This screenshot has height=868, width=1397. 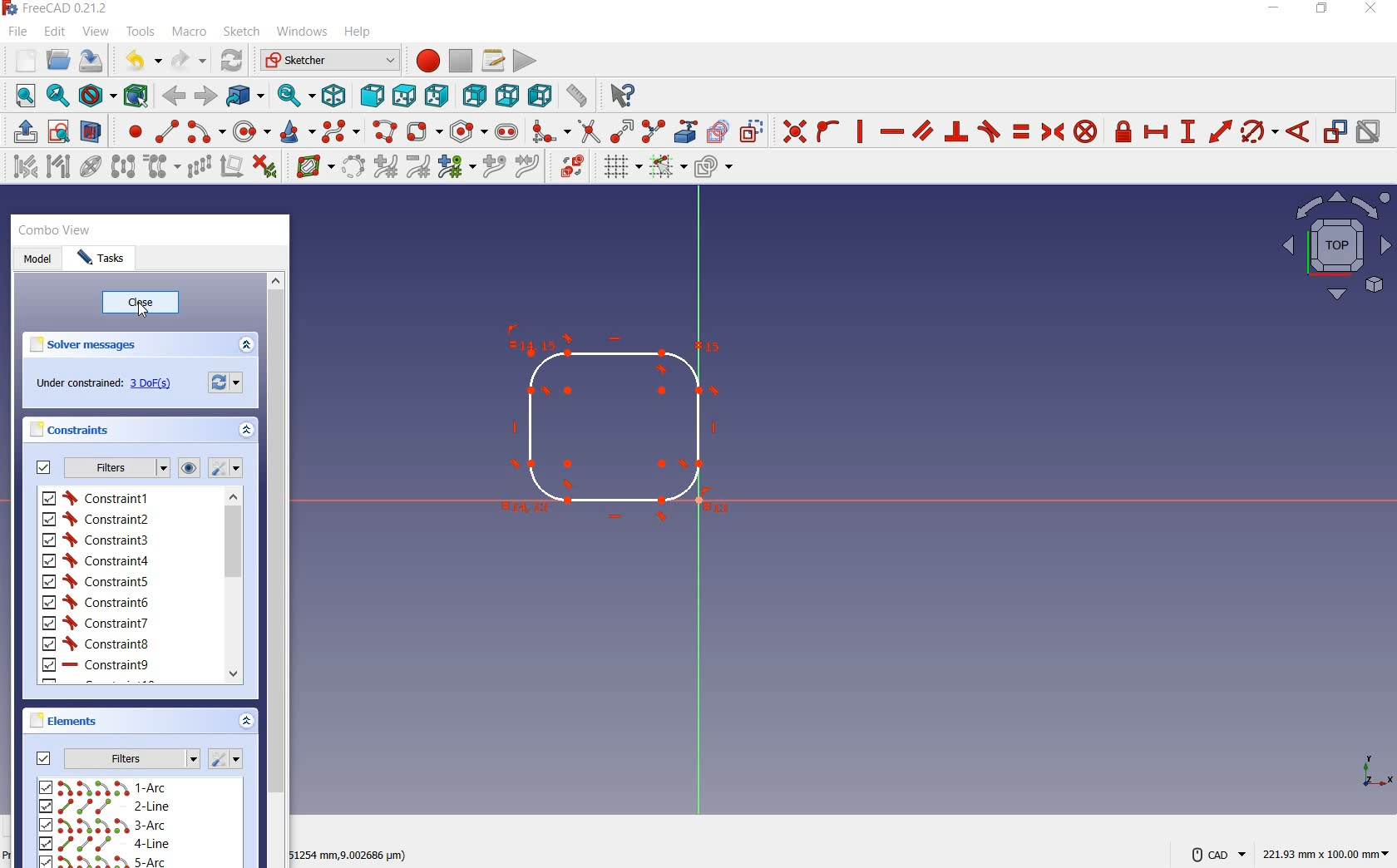 What do you see at coordinates (1335, 133) in the screenshot?
I see `toggle driving/reference constraint` at bounding box center [1335, 133].